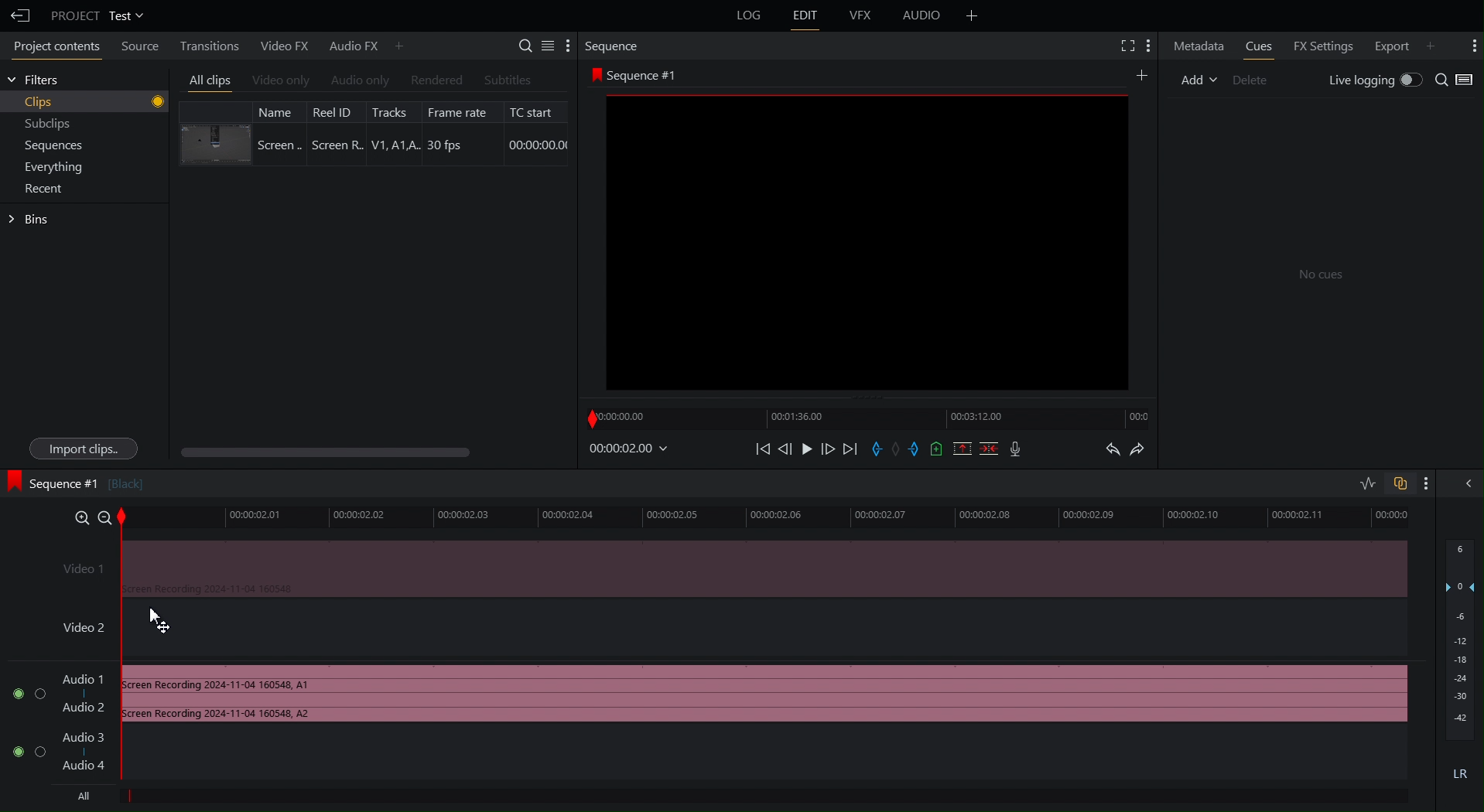 The height and width of the screenshot is (812, 1484). Describe the element at coordinates (627, 451) in the screenshot. I see `Timestamp` at that location.